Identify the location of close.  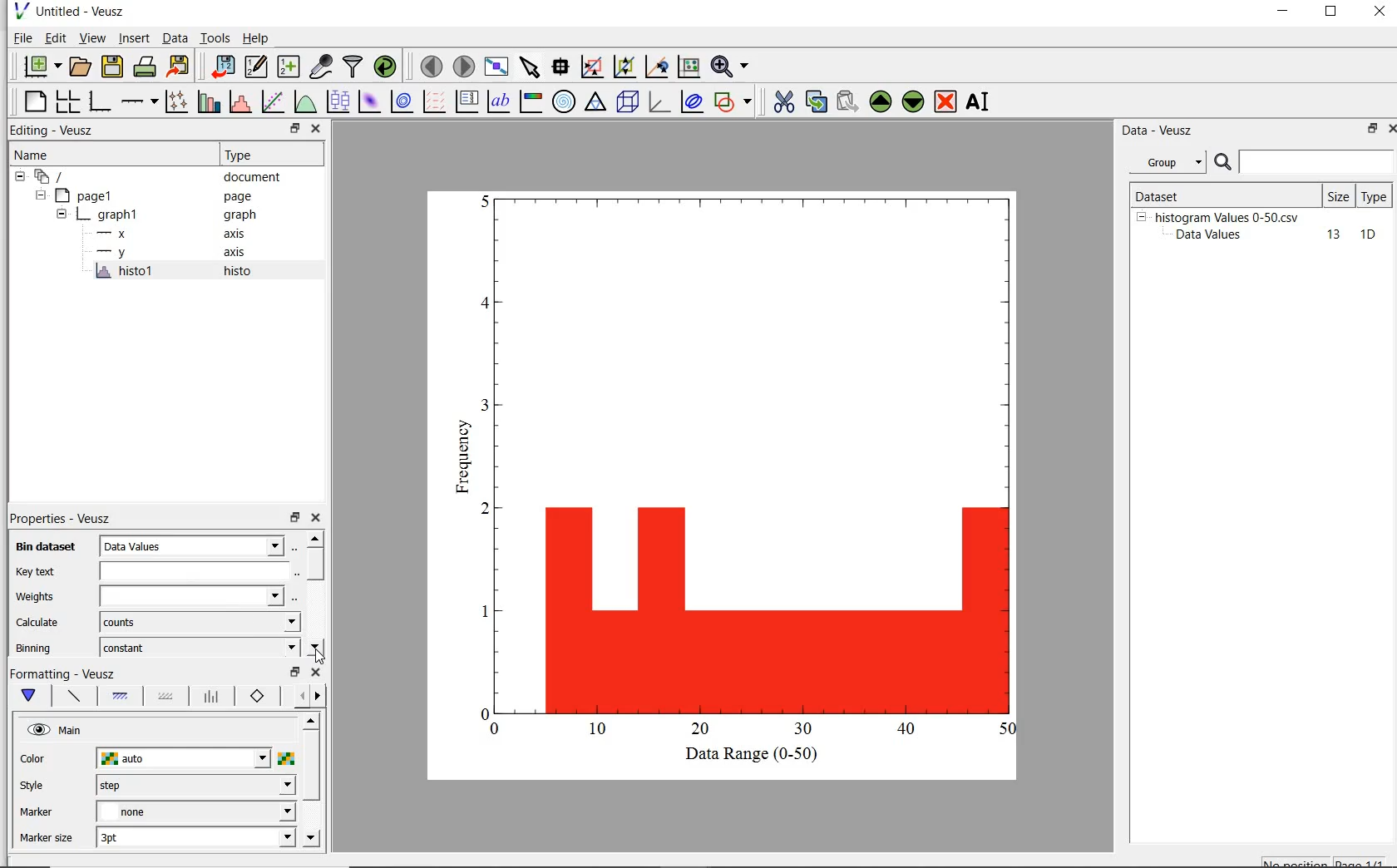
(318, 518).